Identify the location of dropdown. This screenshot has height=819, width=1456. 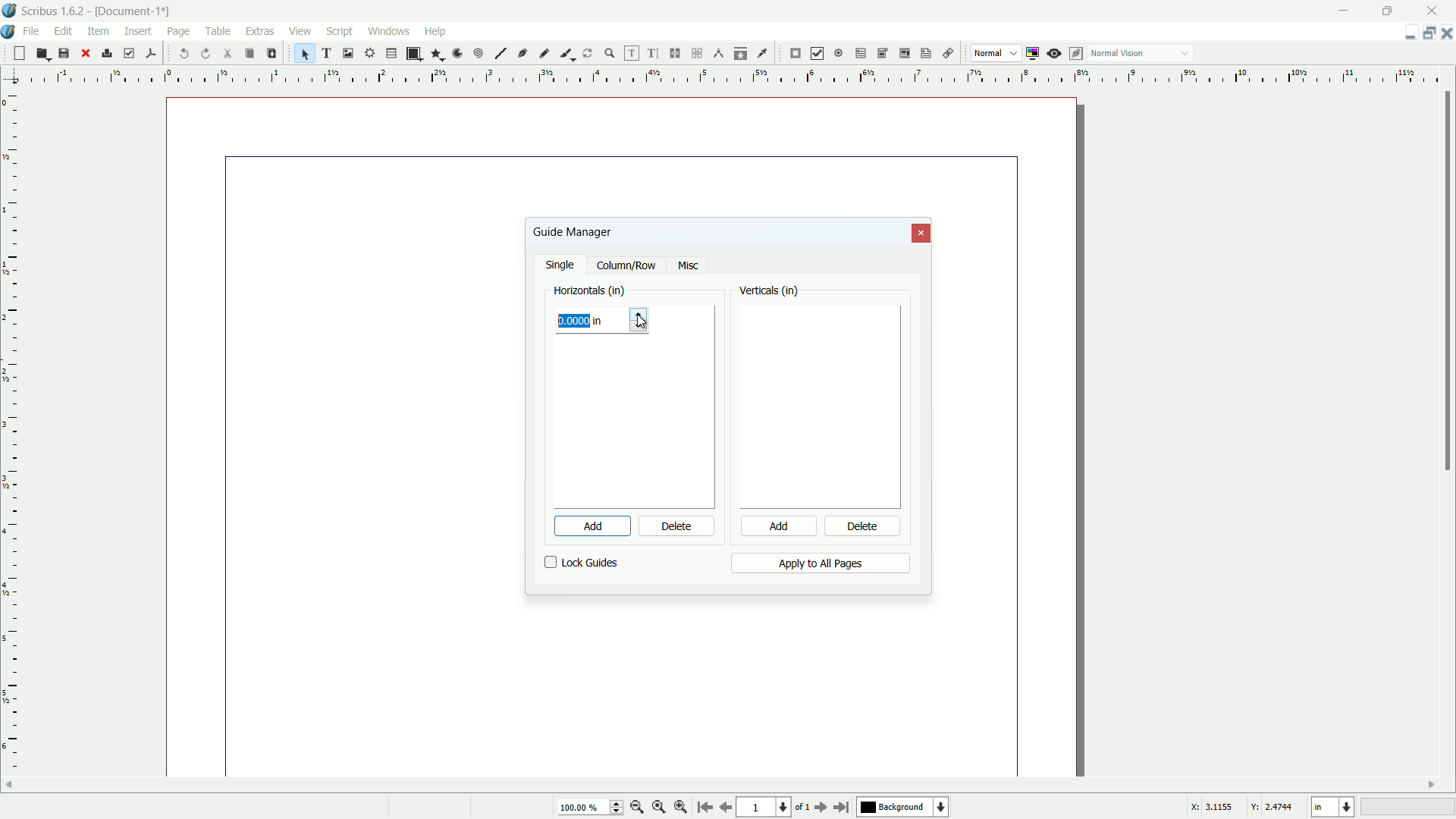
(1185, 55).